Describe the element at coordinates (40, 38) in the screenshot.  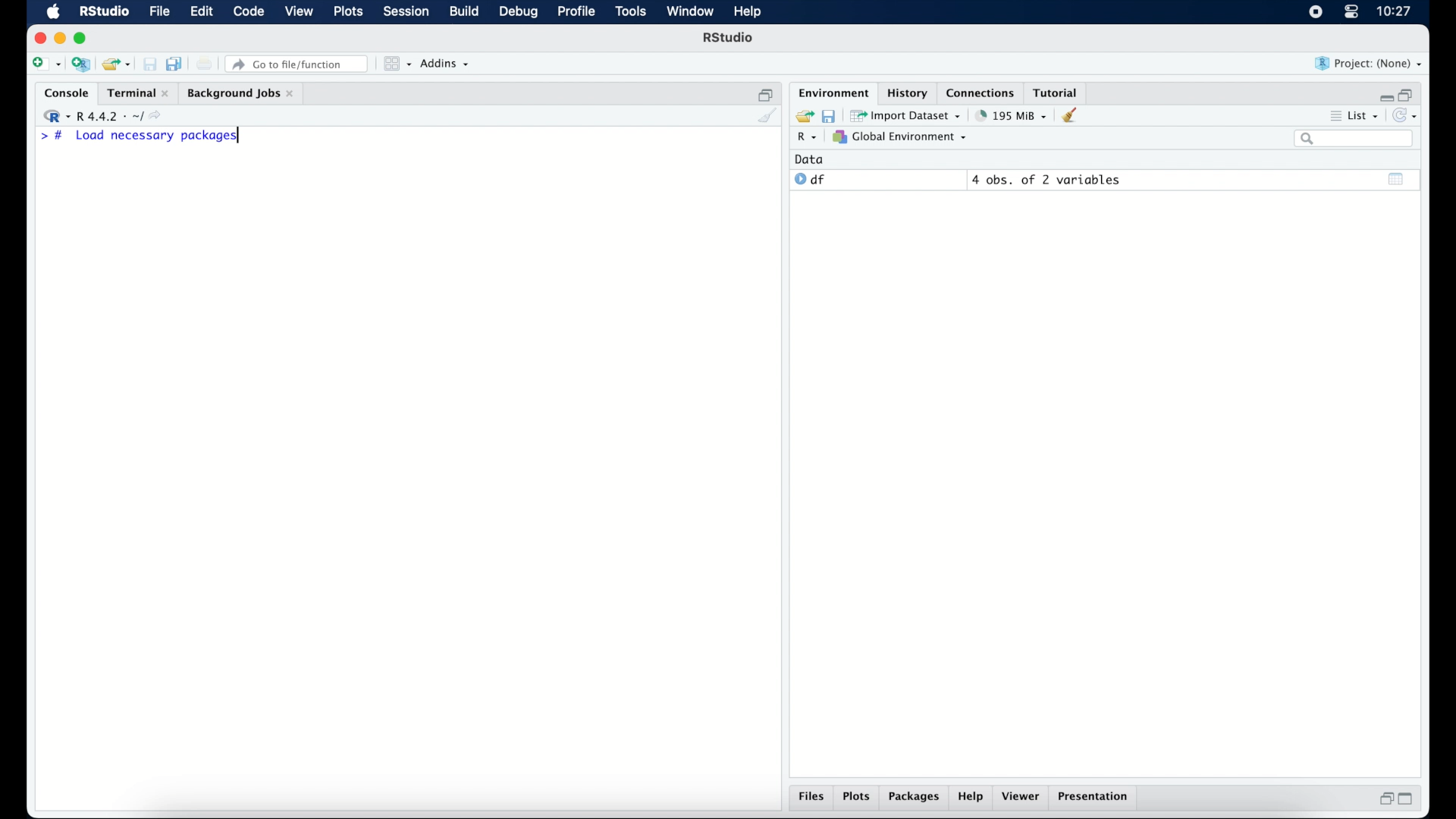
I see `close` at that location.